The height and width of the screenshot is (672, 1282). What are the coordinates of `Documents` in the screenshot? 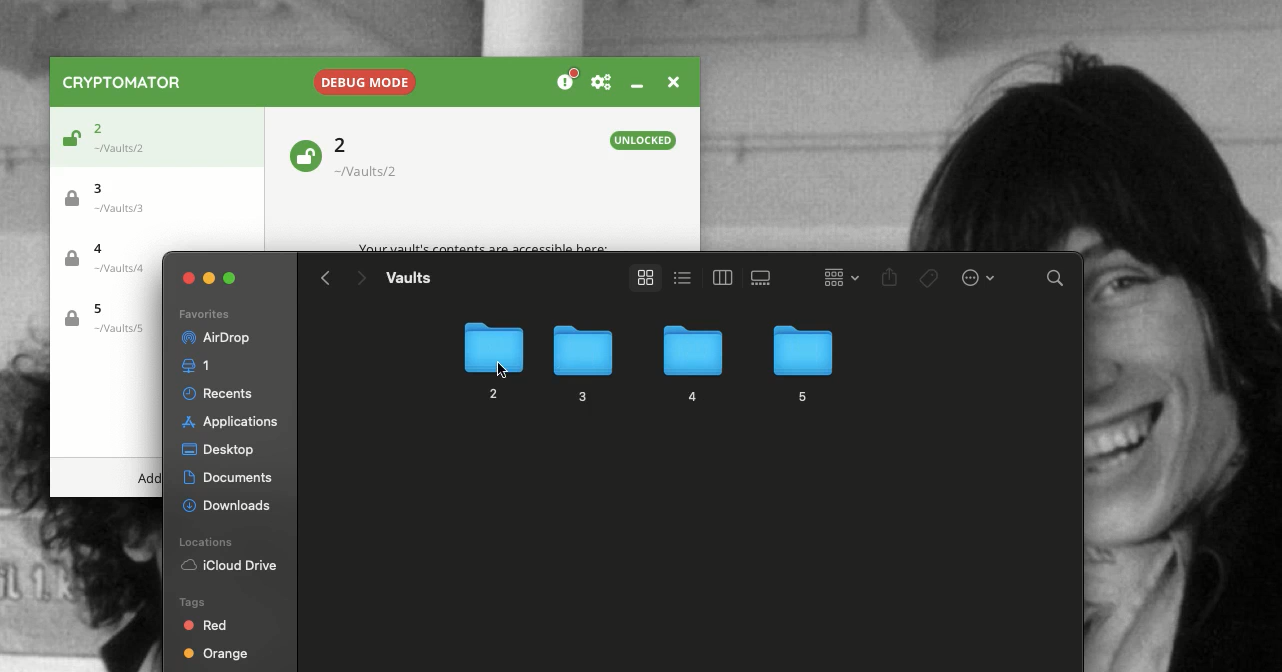 It's located at (231, 478).